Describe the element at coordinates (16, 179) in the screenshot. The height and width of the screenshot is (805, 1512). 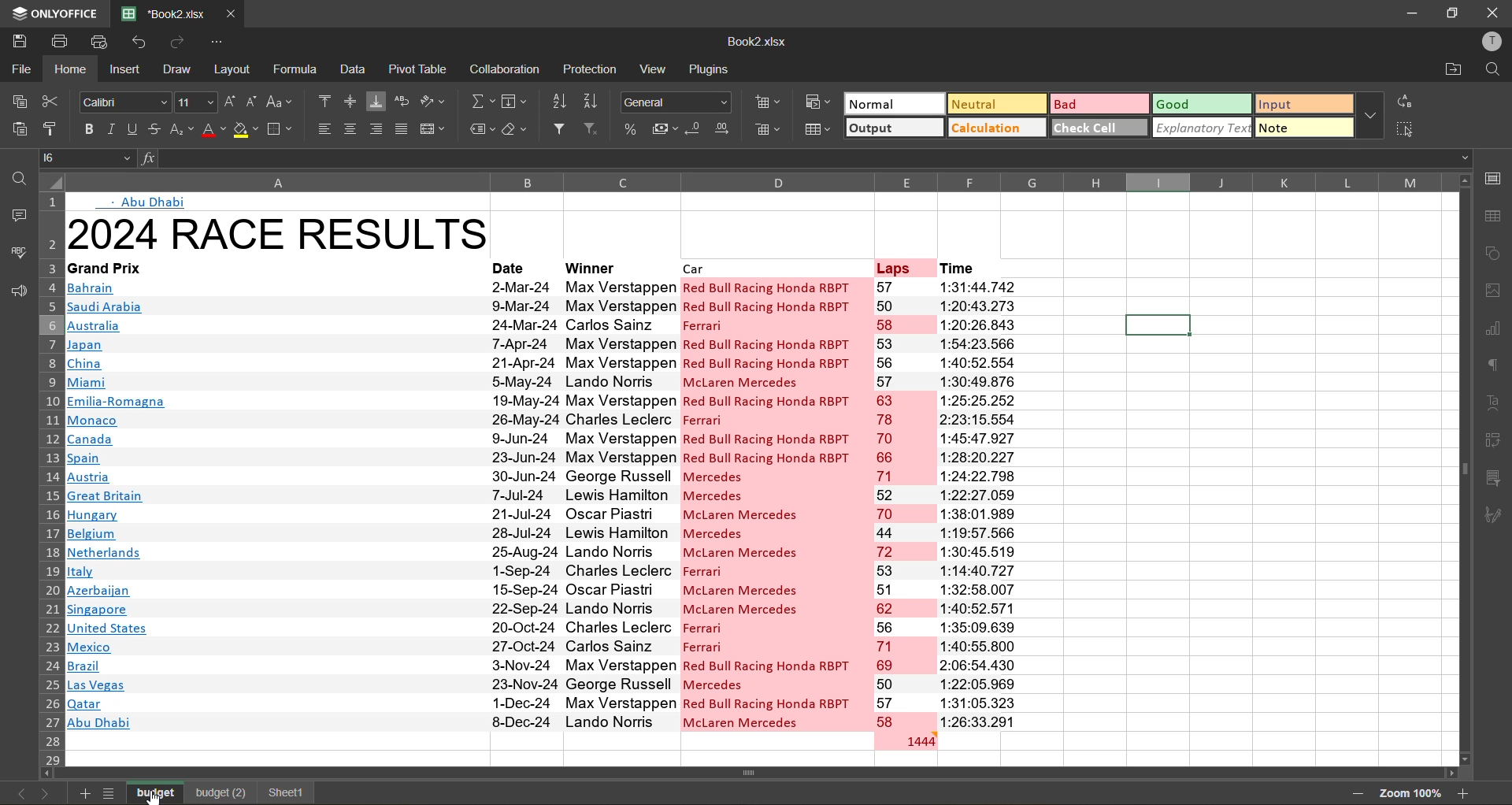
I see `find` at that location.